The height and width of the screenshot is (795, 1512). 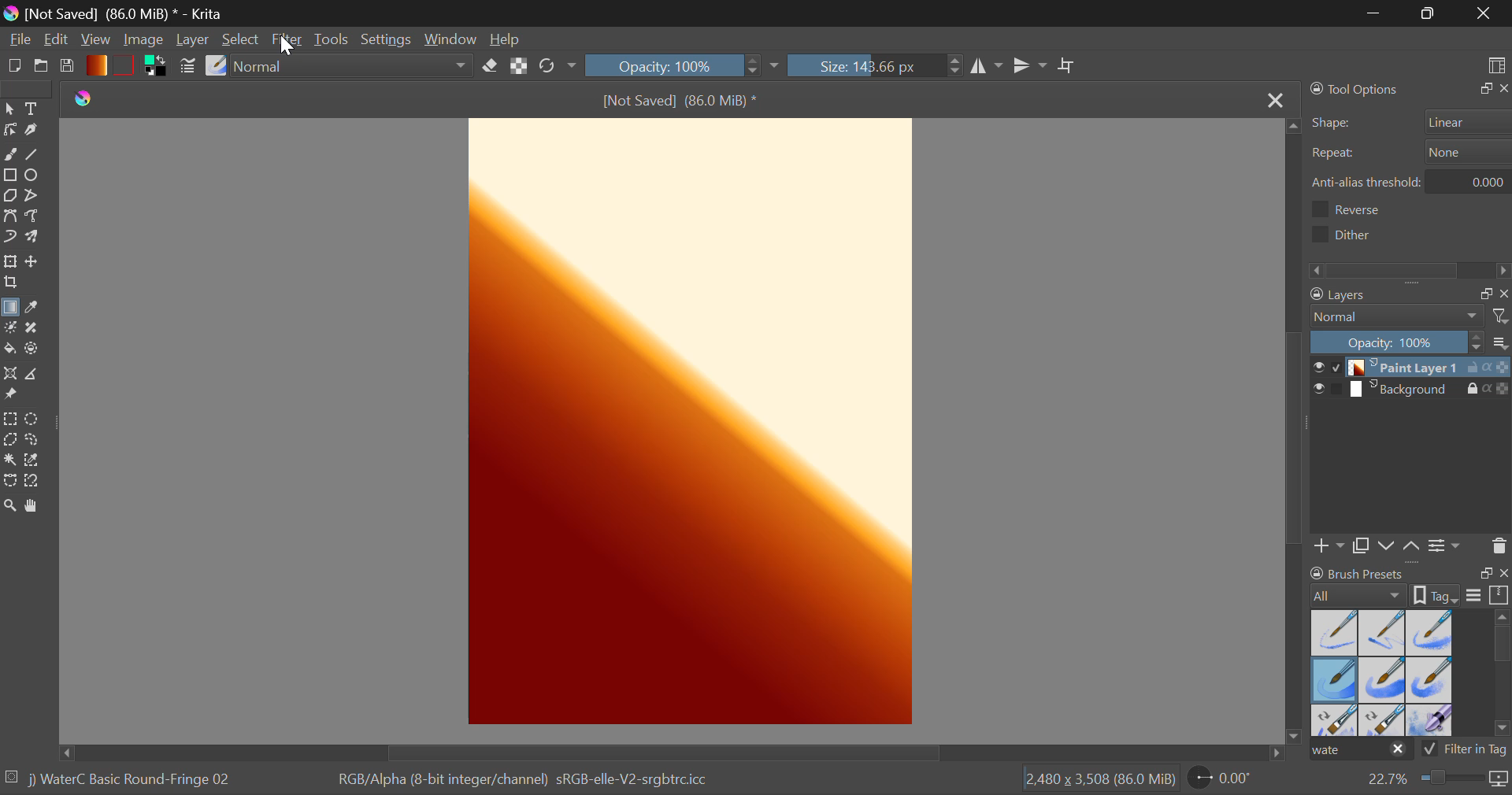 I want to click on scale, so click(x=1499, y=596).